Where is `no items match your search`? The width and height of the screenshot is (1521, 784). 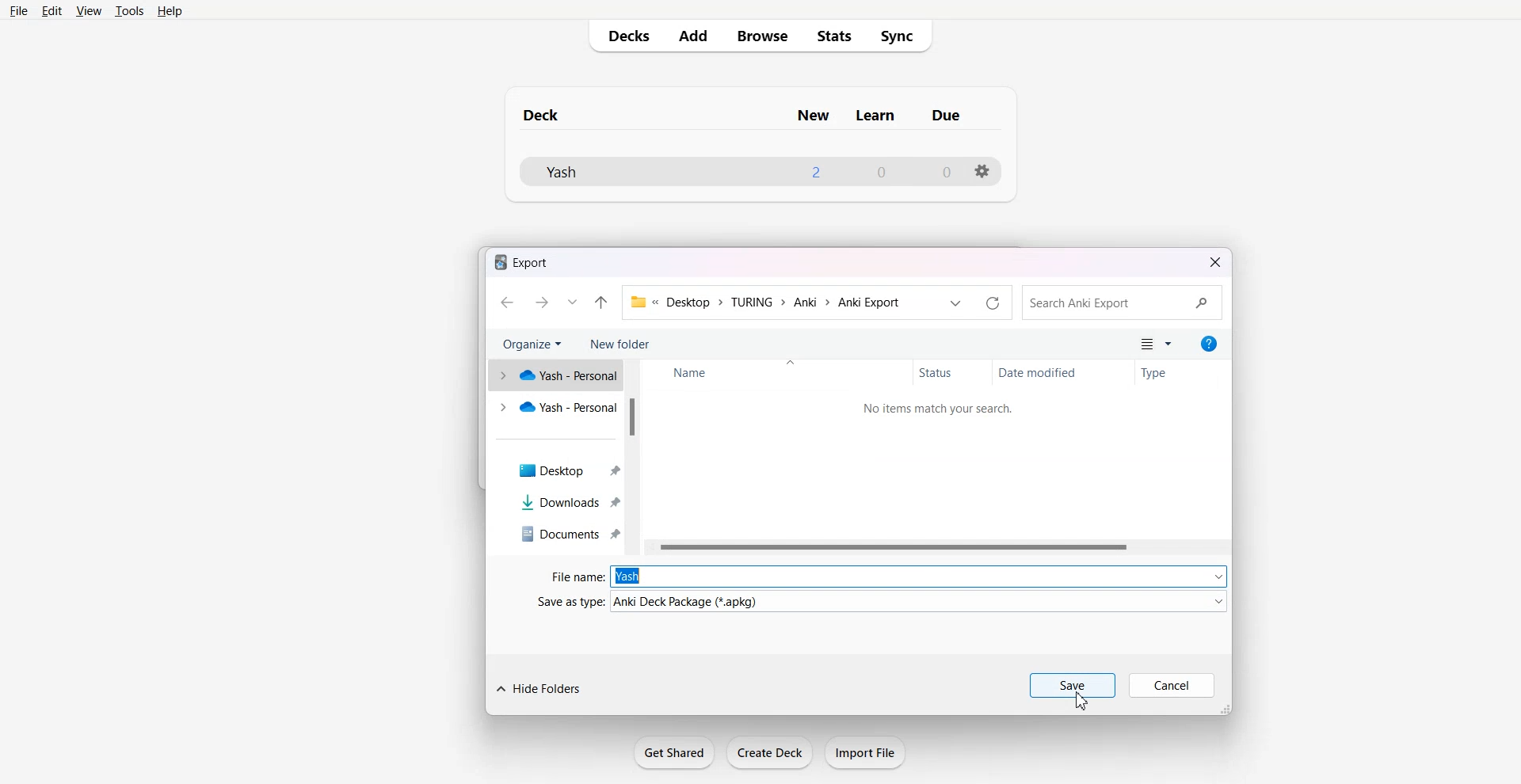
no items match your search is located at coordinates (936, 408).